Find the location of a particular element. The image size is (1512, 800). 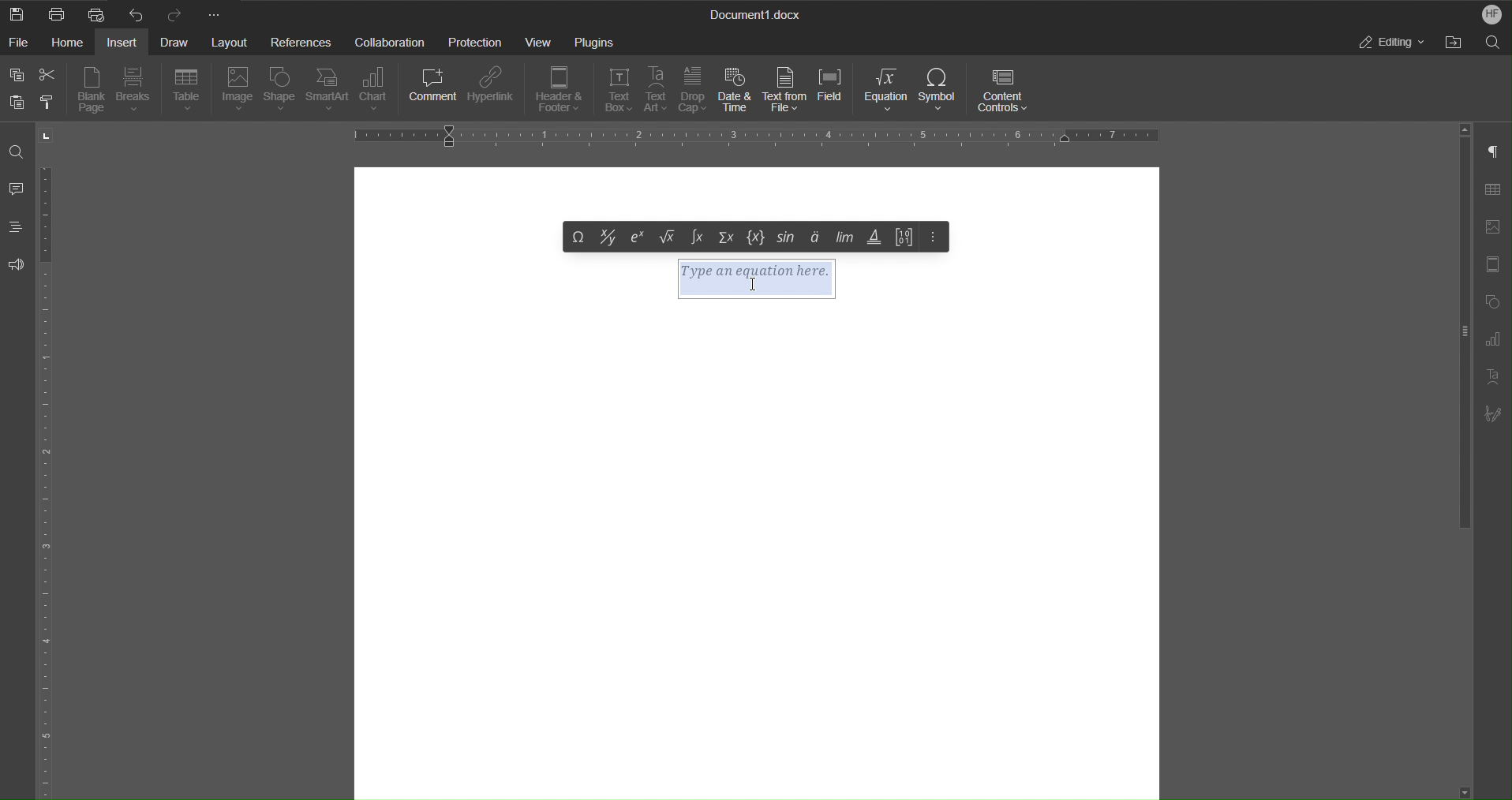

trig is located at coordinates (788, 237).